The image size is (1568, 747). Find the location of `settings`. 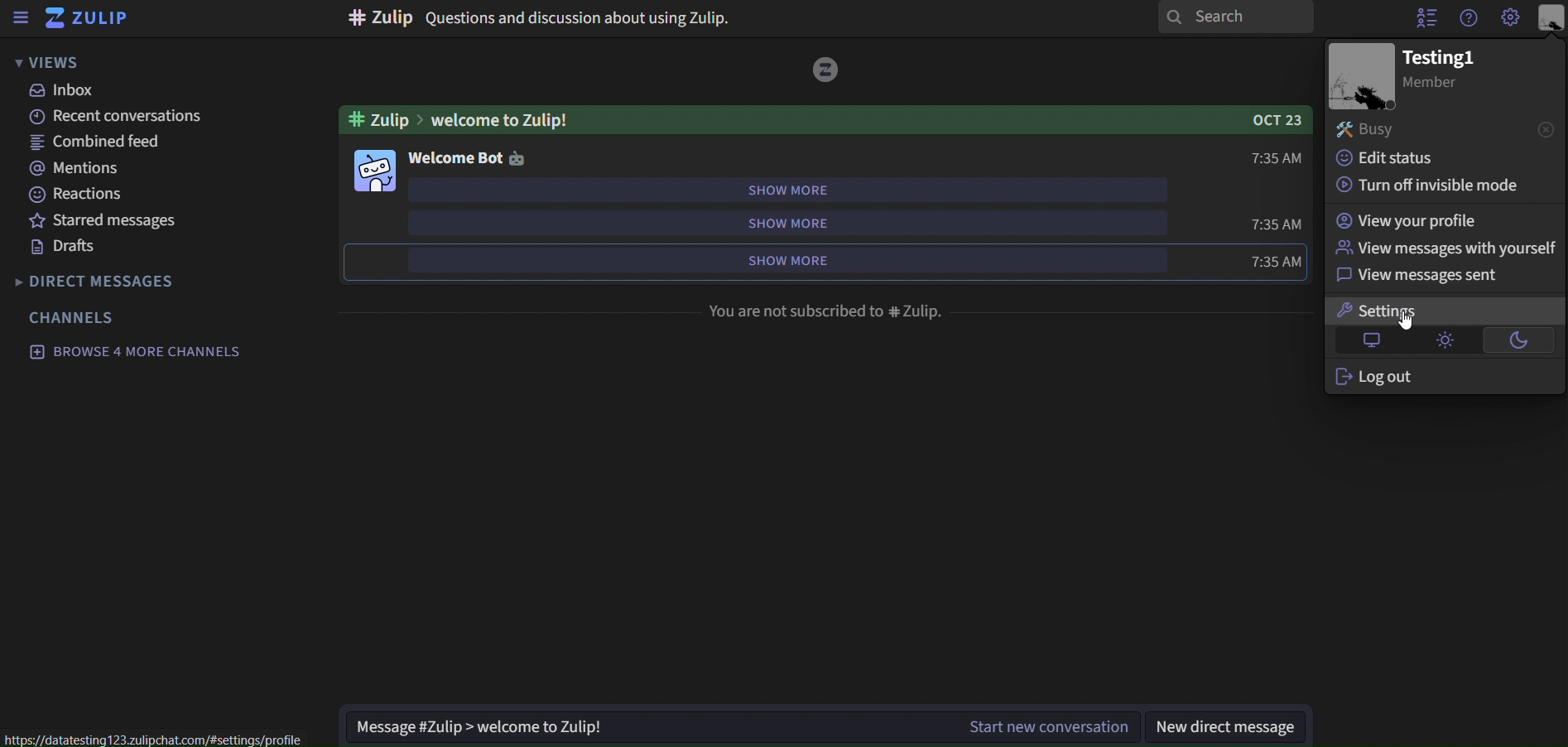

settings is located at coordinates (1442, 311).